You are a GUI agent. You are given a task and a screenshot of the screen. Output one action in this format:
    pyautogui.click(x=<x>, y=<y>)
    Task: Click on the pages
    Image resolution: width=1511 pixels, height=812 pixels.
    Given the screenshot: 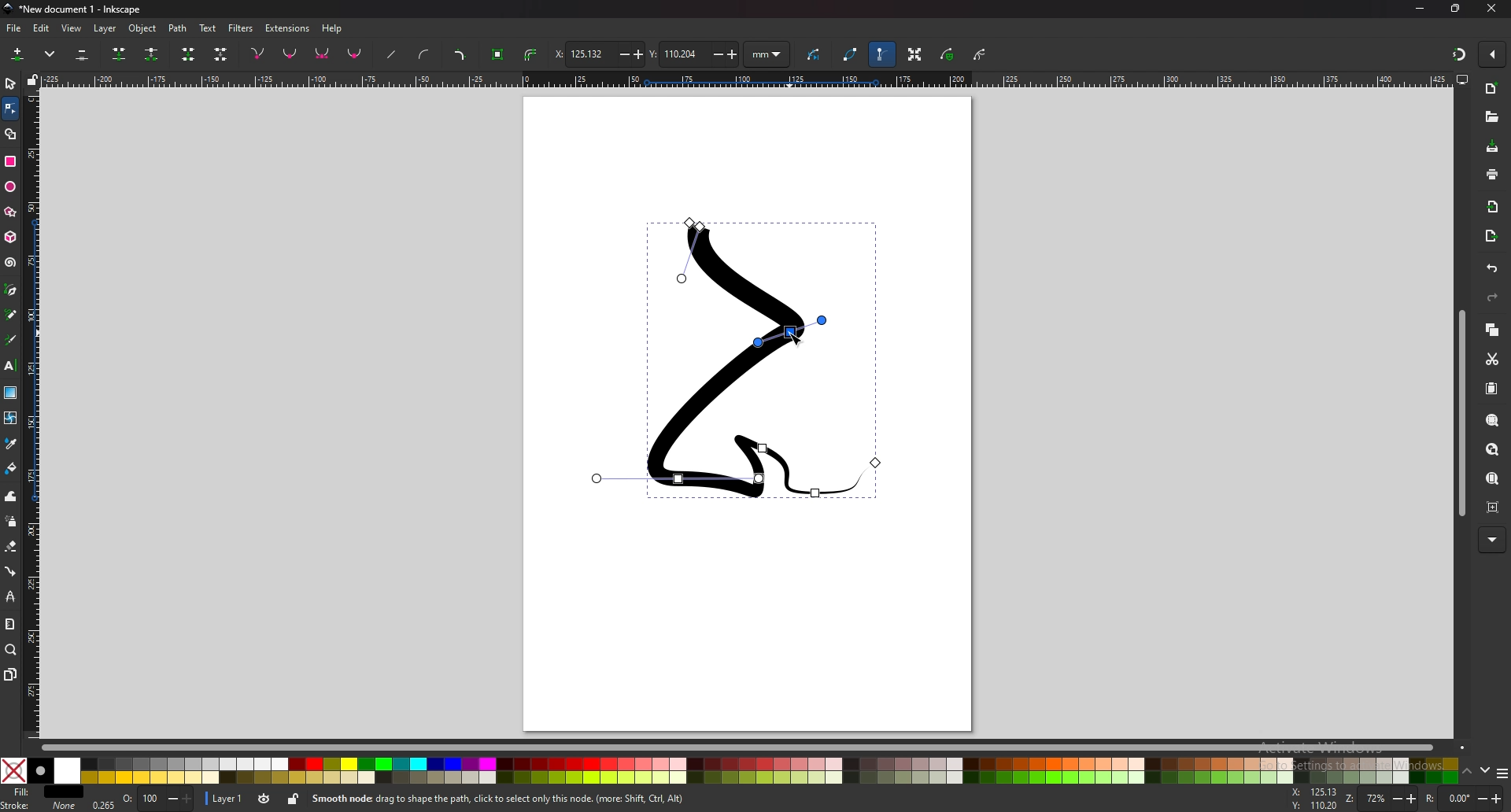 What is the action you would take?
    pyautogui.click(x=11, y=674)
    